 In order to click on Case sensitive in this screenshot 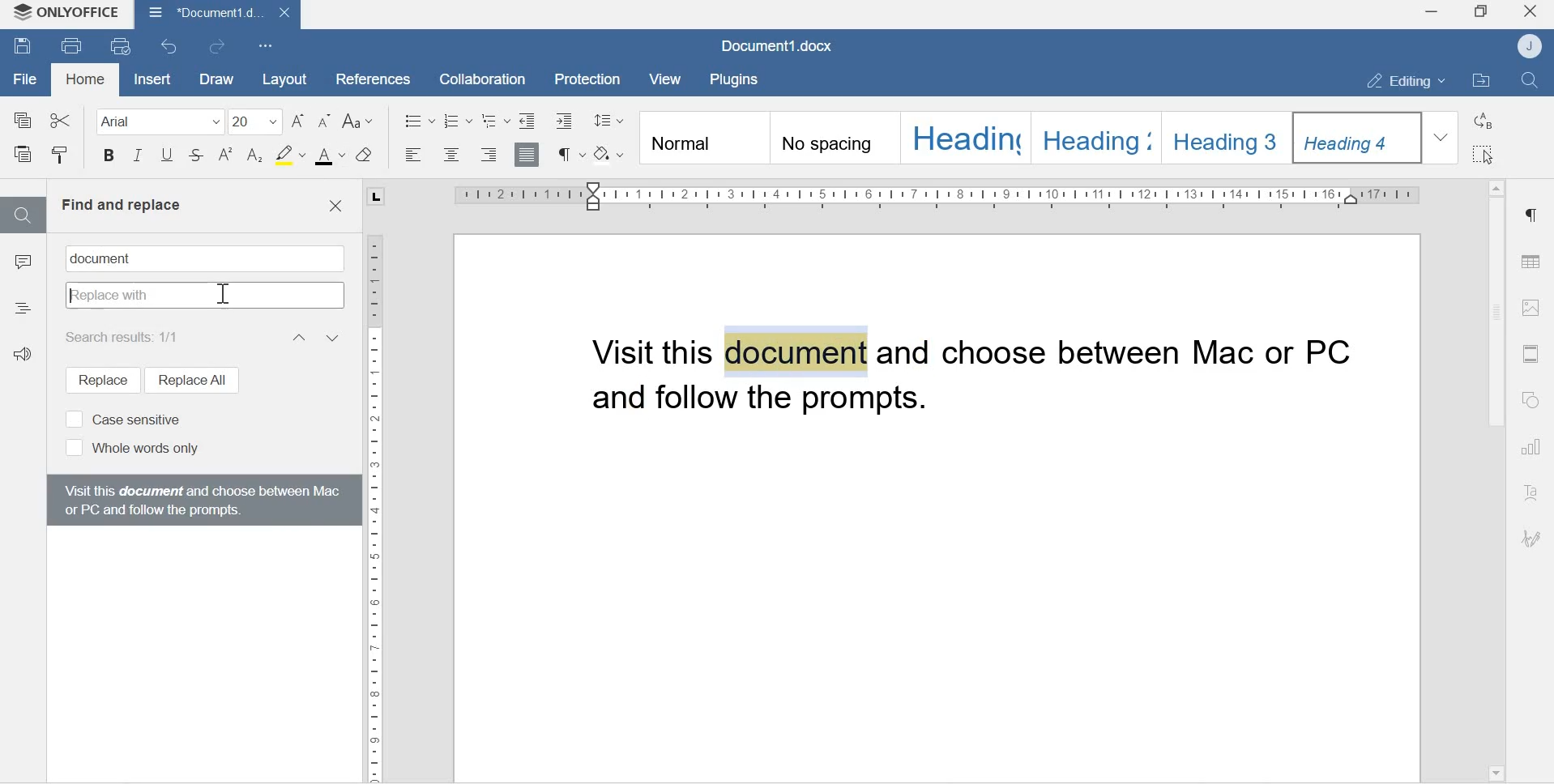, I will do `click(122, 418)`.